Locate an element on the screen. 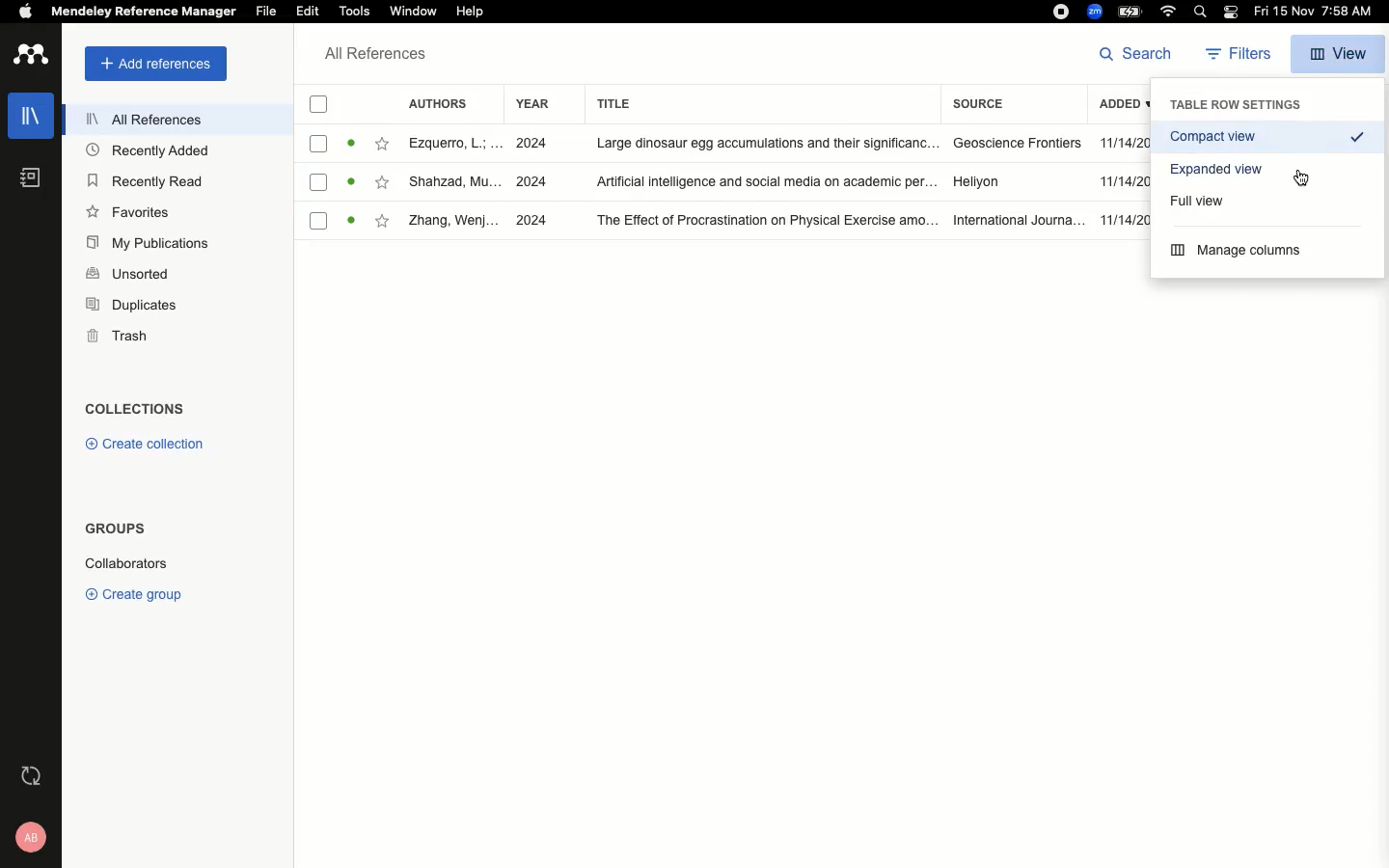 The width and height of the screenshot is (1389, 868). Search is located at coordinates (1136, 54).